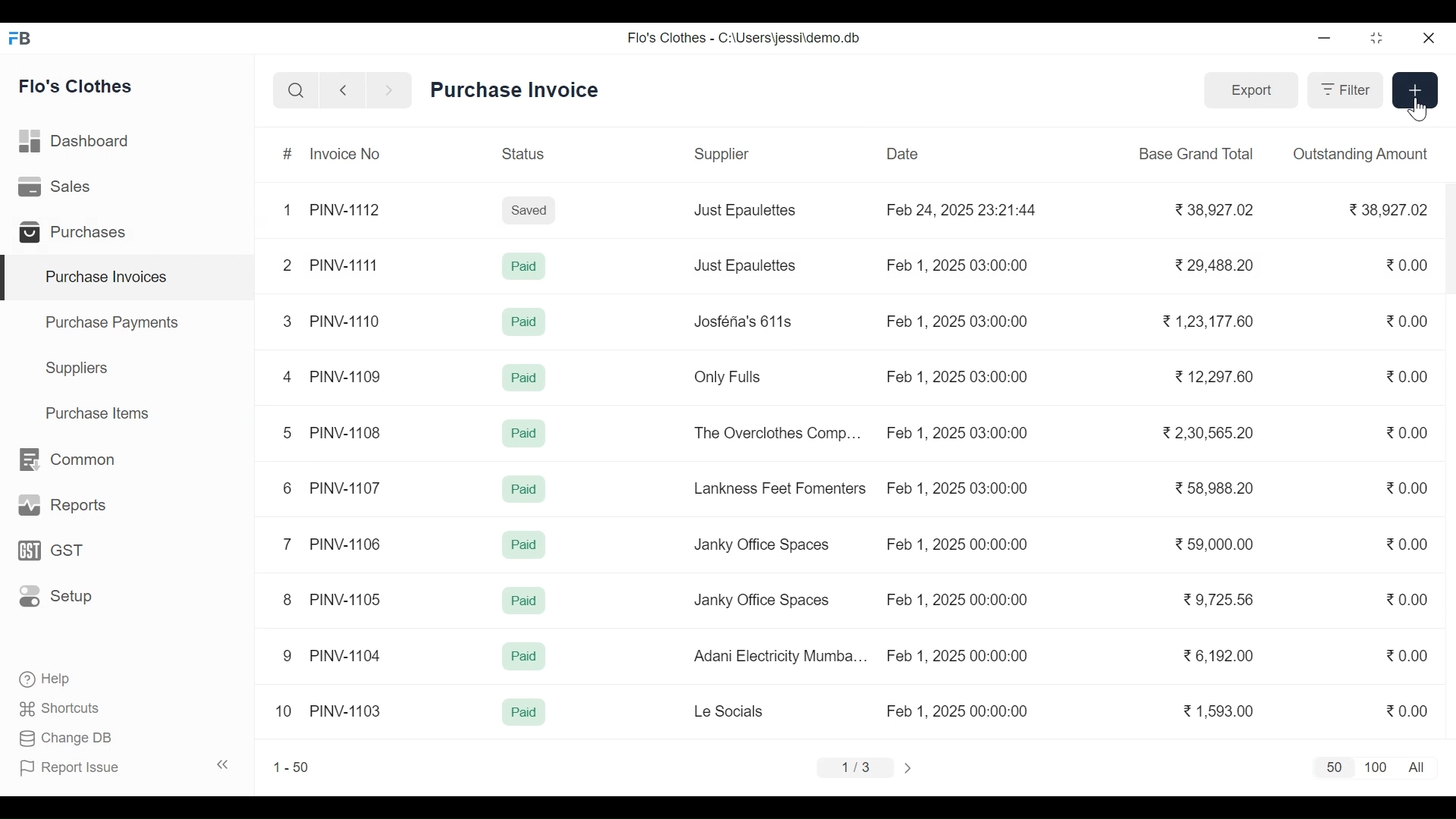  Describe the element at coordinates (1197, 152) in the screenshot. I see `Base Grand Total` at that location.